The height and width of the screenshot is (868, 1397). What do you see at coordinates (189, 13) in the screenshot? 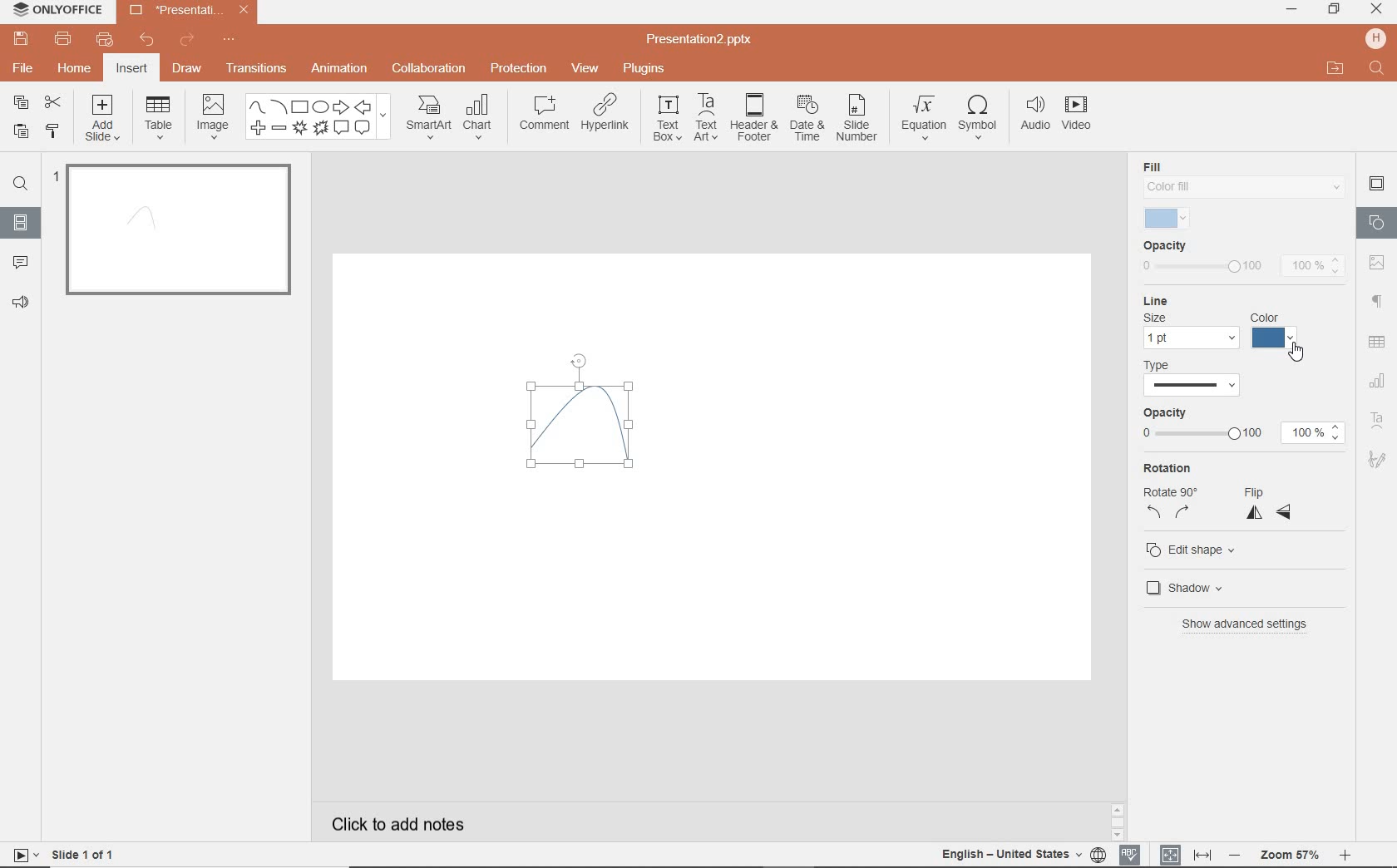
I see `Presentation2.pptx` at bounding box center [189, 13].